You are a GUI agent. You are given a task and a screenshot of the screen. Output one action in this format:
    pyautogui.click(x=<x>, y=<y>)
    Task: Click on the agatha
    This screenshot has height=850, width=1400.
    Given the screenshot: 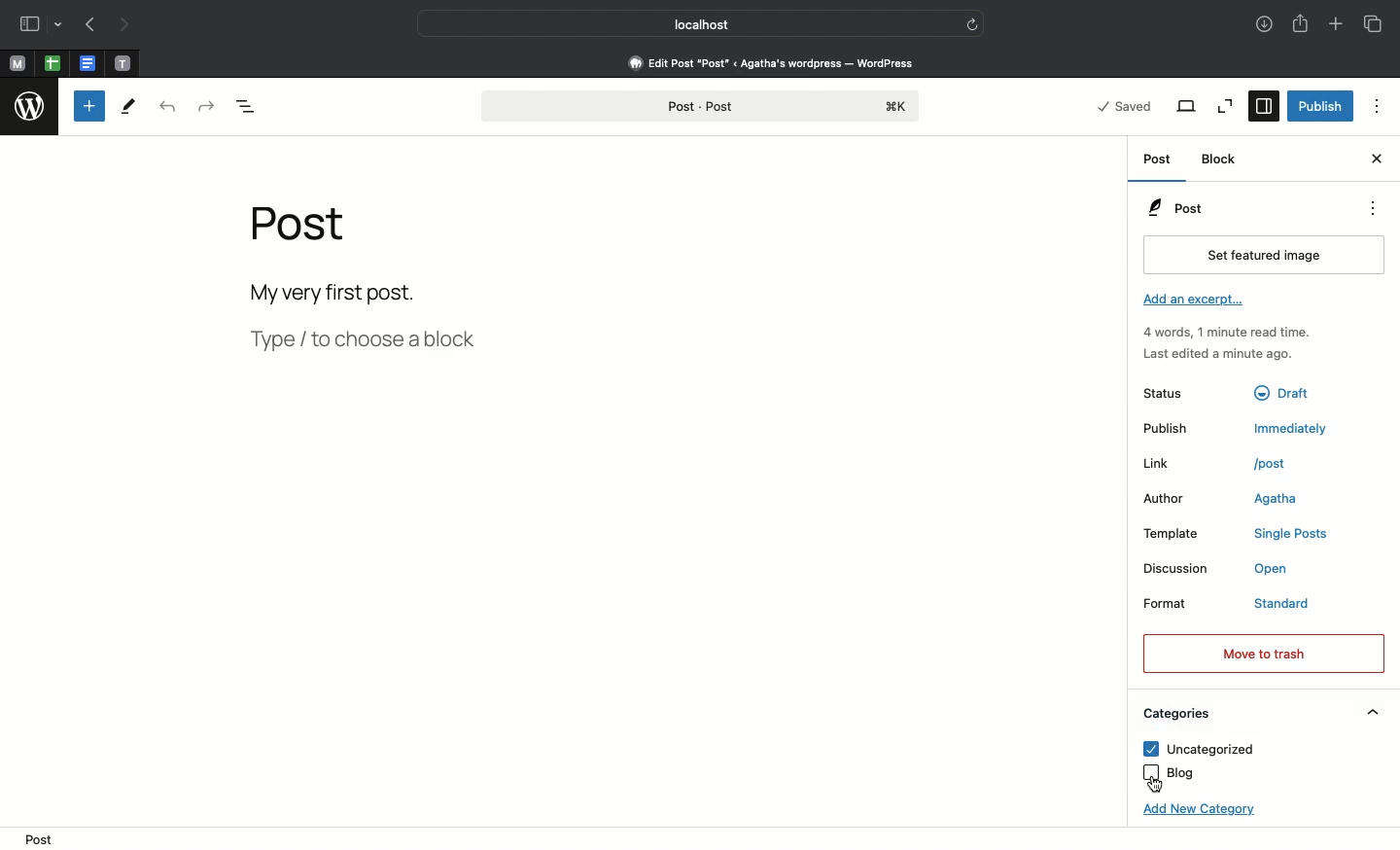 What is the action you would take?
    pyautogui.click(x=1276, y=501)
    